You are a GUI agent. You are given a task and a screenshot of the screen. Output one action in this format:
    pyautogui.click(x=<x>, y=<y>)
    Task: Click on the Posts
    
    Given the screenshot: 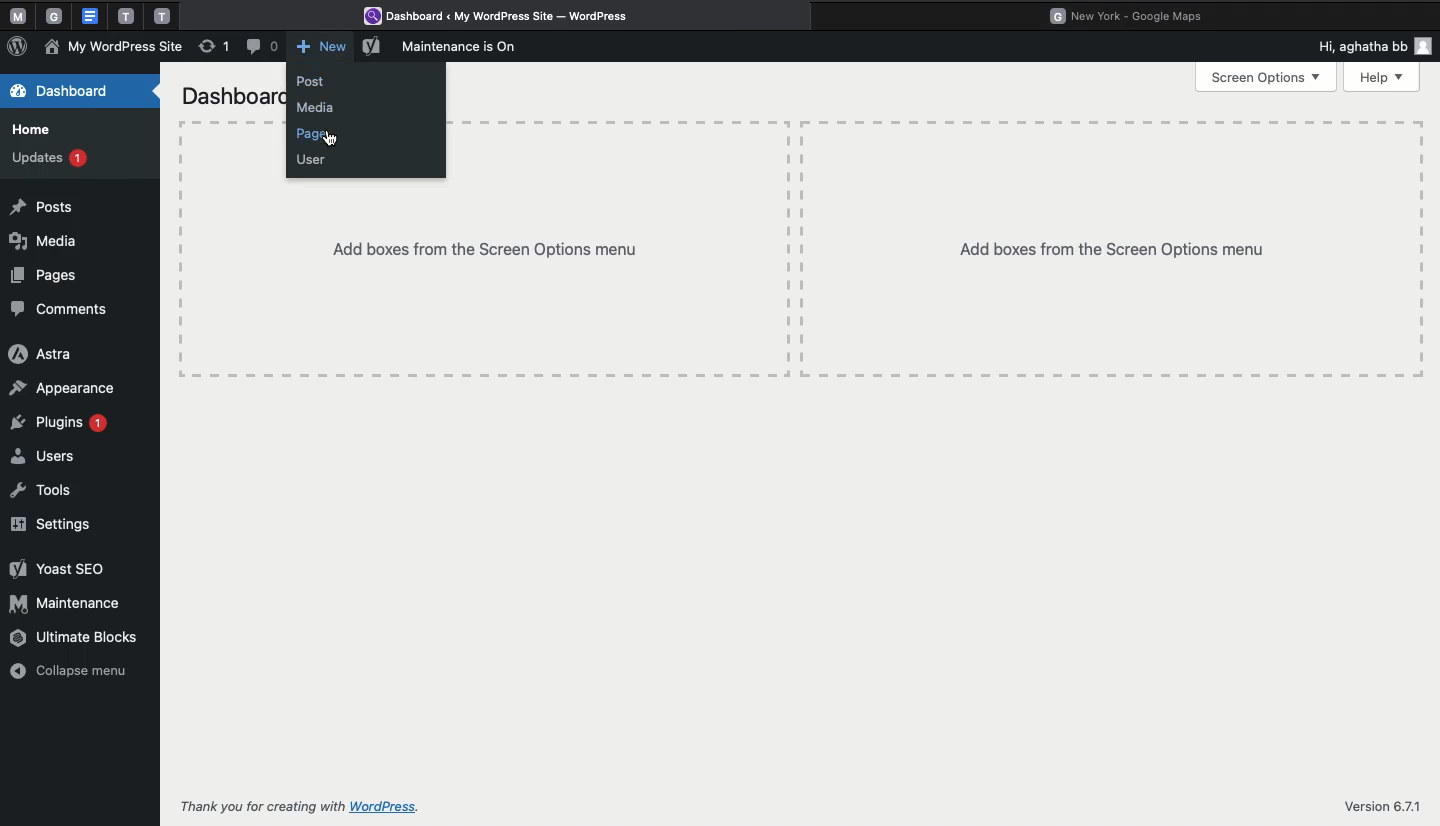 What is the action you would take?
    pyautogui.click(x=49, y=207)
    